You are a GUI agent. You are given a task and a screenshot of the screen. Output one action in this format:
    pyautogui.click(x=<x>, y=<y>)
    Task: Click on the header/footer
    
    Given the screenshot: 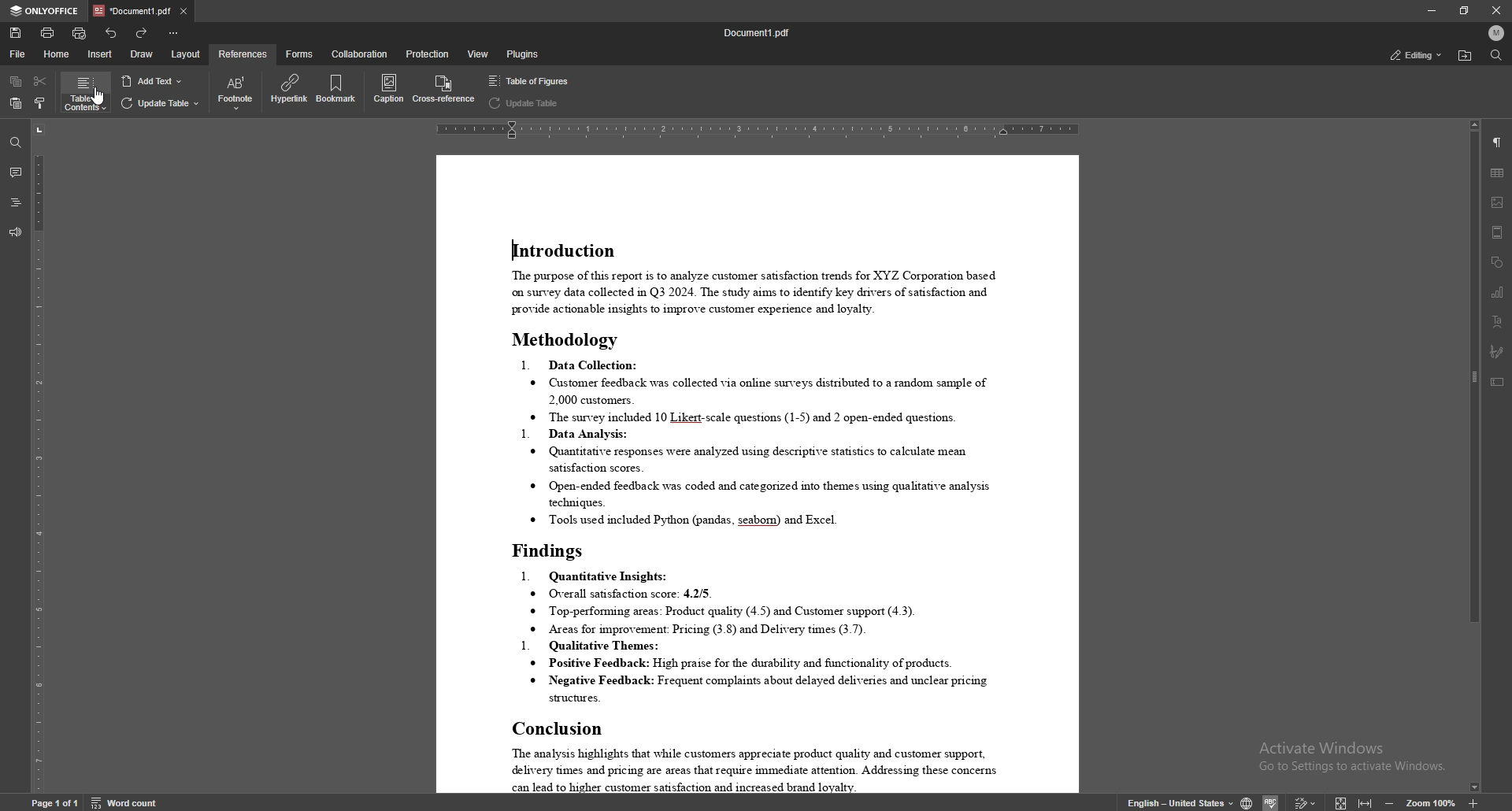 What is the action you would take?
    pyautogui.click(x=1499, y=232)
    